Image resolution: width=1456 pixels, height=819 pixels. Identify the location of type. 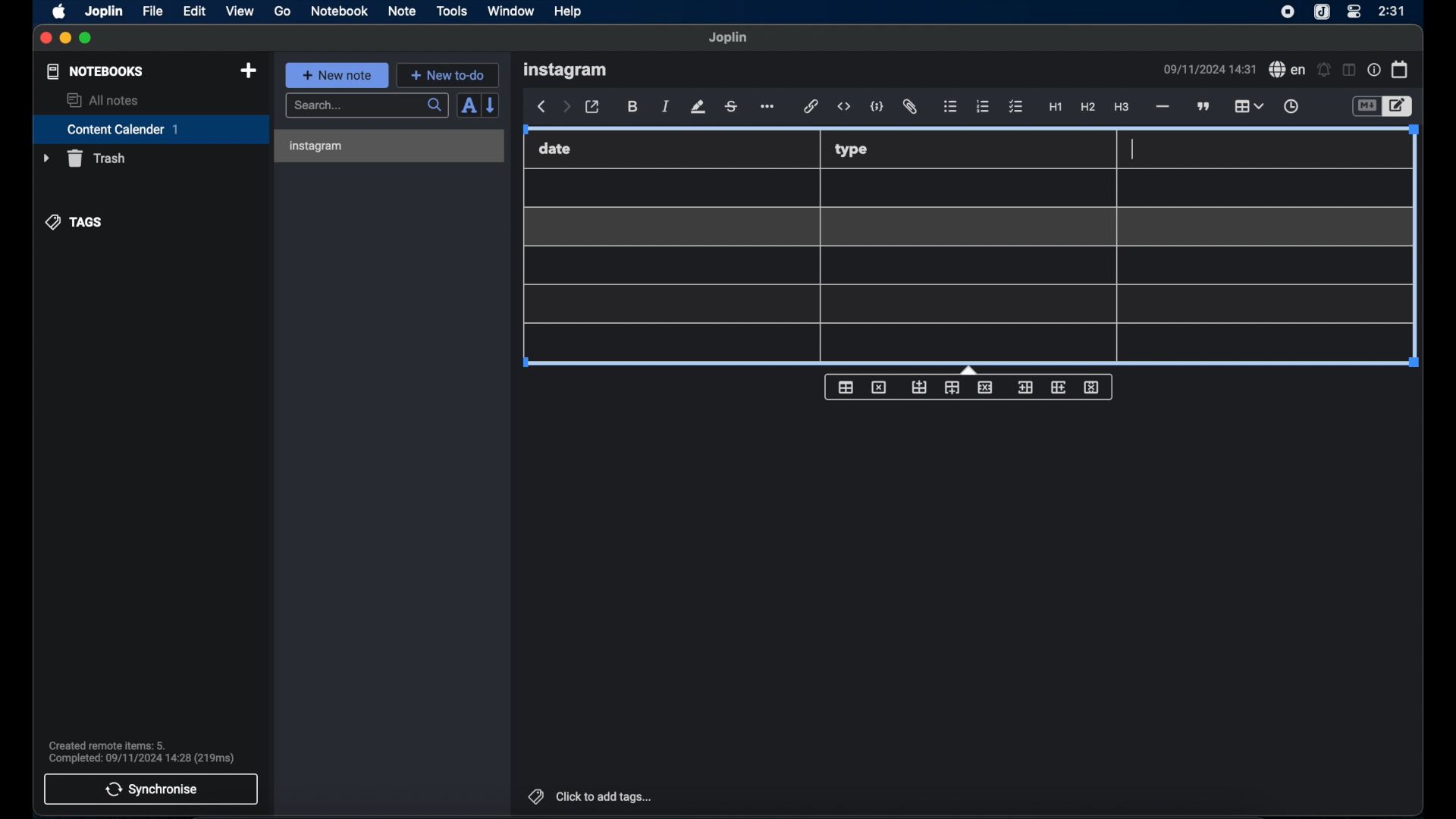
(852, 149).